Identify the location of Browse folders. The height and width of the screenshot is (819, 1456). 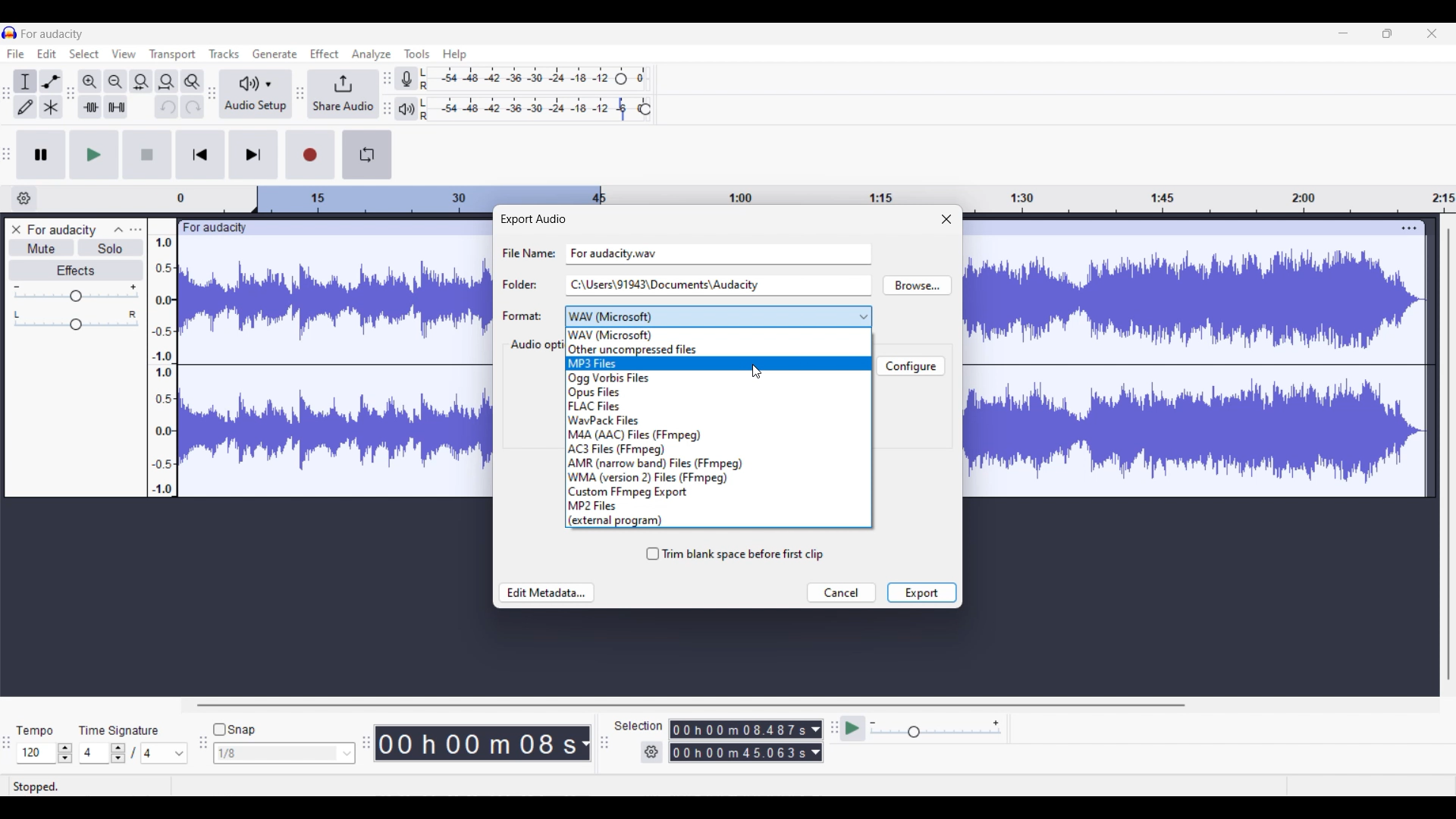
(917, 285).